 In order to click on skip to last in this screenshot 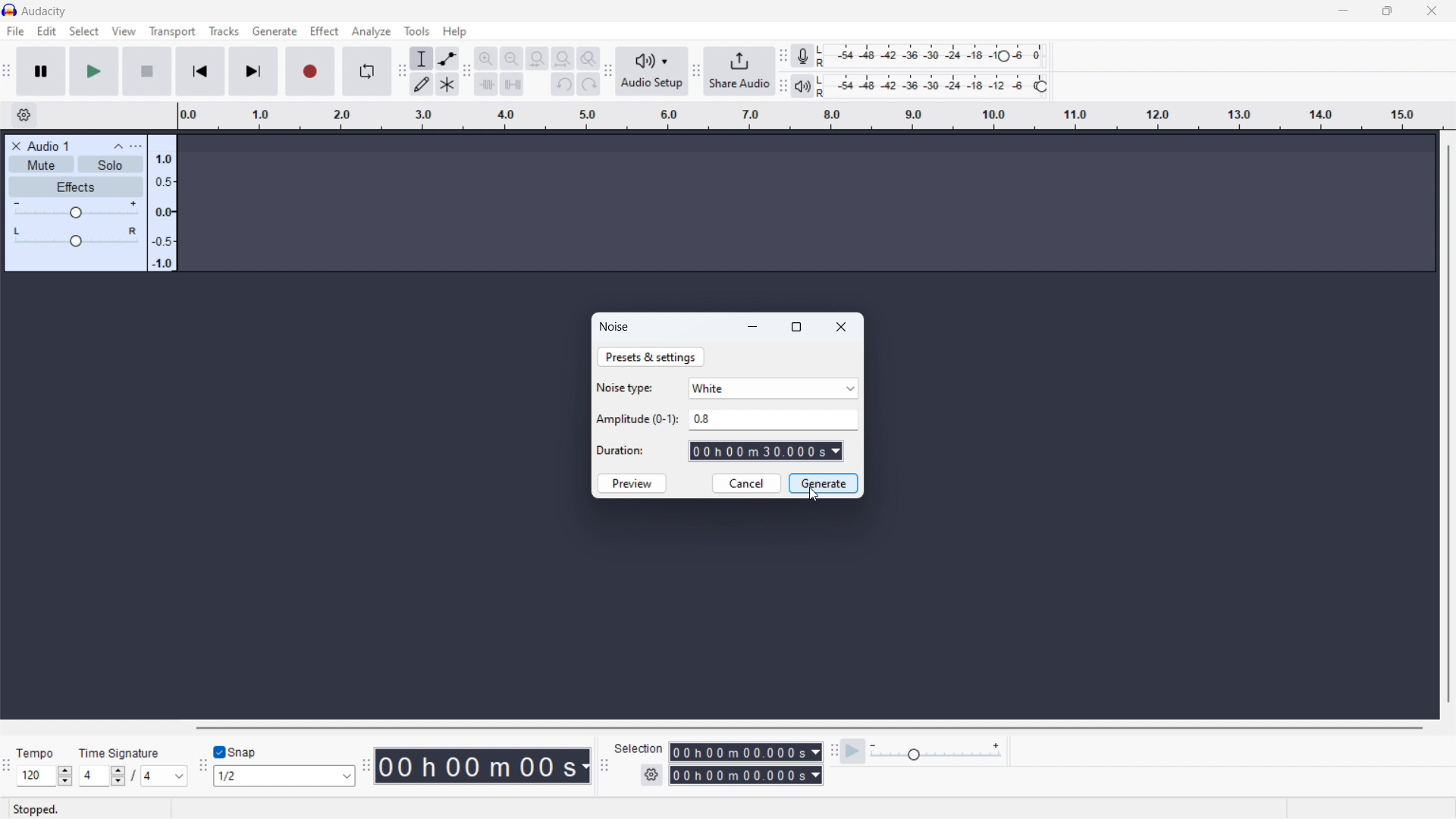, I will do `click(254, 71)`.